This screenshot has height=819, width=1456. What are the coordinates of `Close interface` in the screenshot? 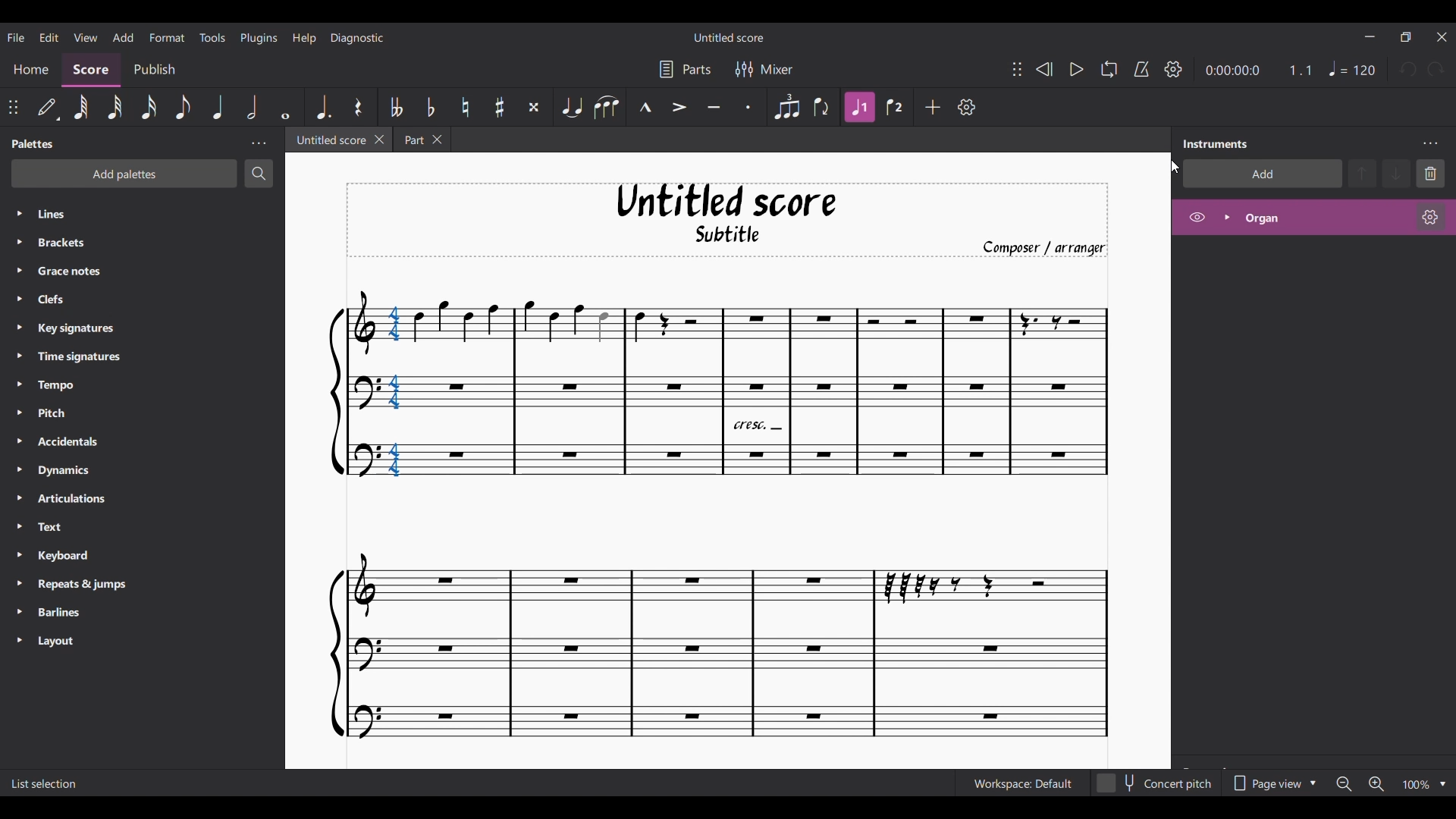 It's located at (1442, 37).